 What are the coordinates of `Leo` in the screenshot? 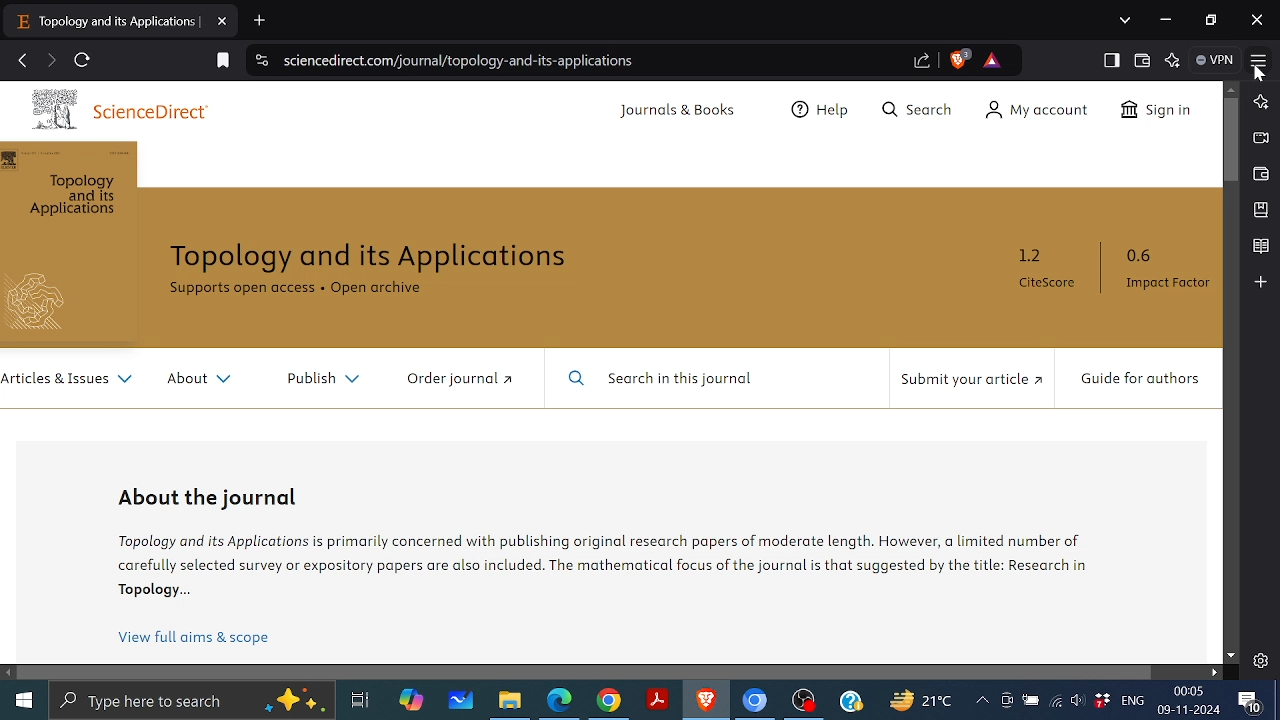 It's located at (1260, 102).